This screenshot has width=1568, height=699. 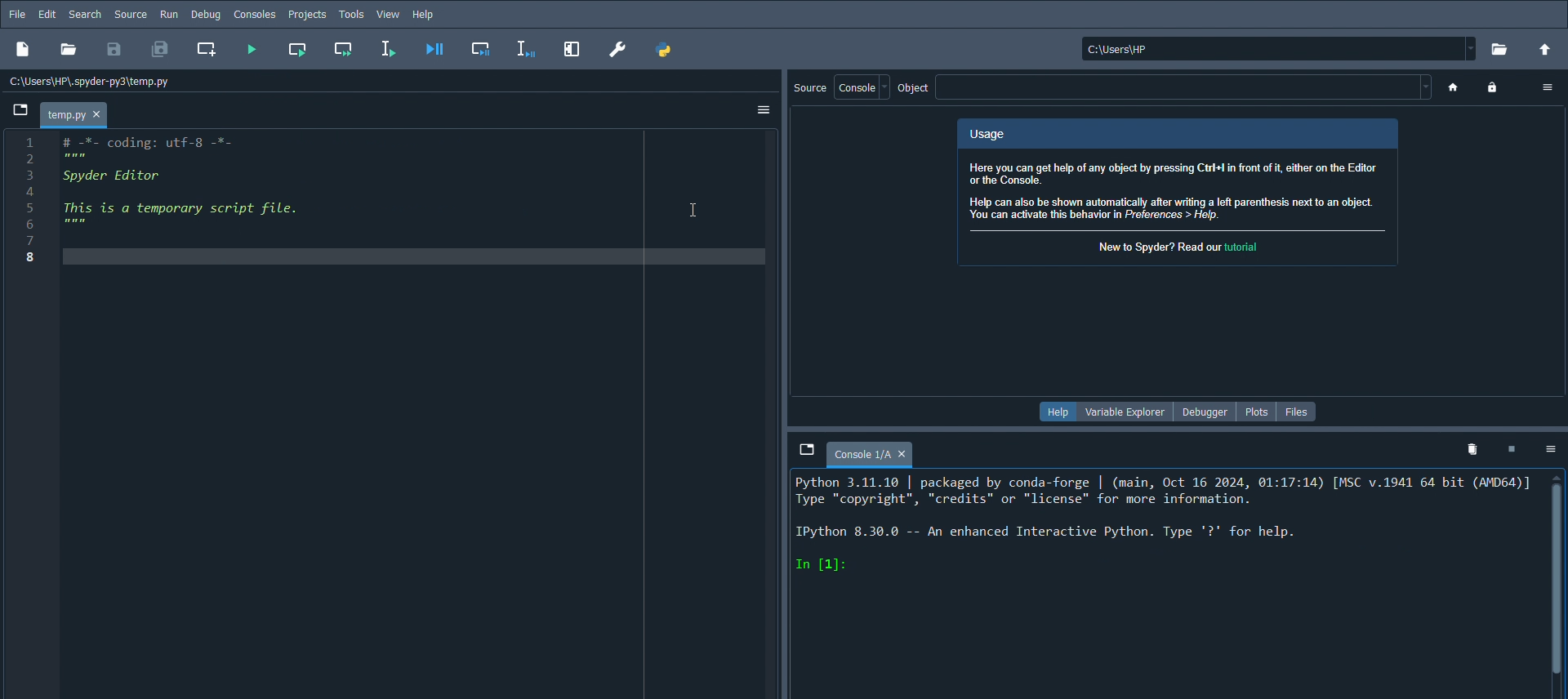 I want to click on Console log, so click(x=1156, y=523).